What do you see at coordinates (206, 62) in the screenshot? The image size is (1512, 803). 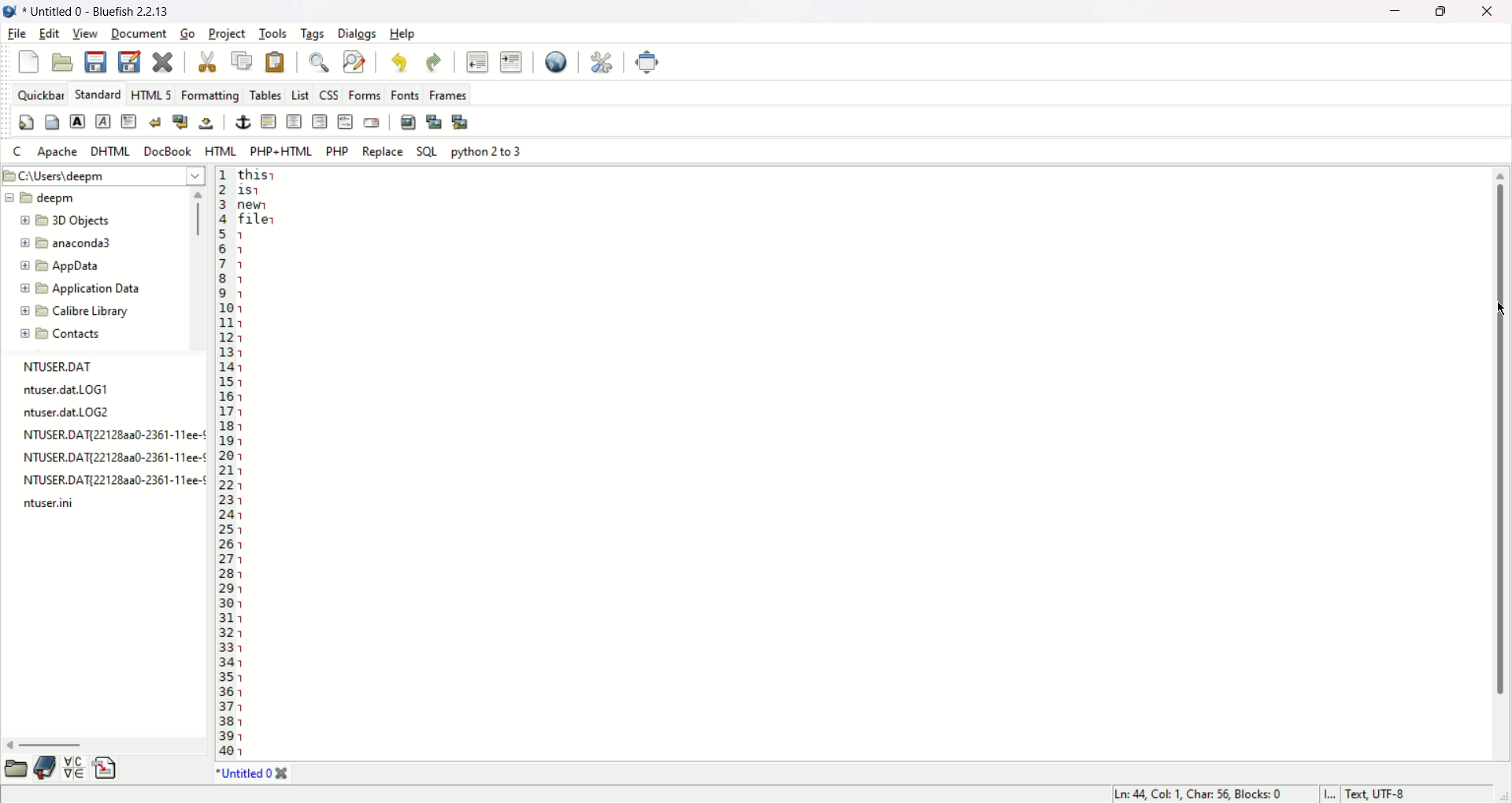 I see `cut` at bounding box center [206, 62].